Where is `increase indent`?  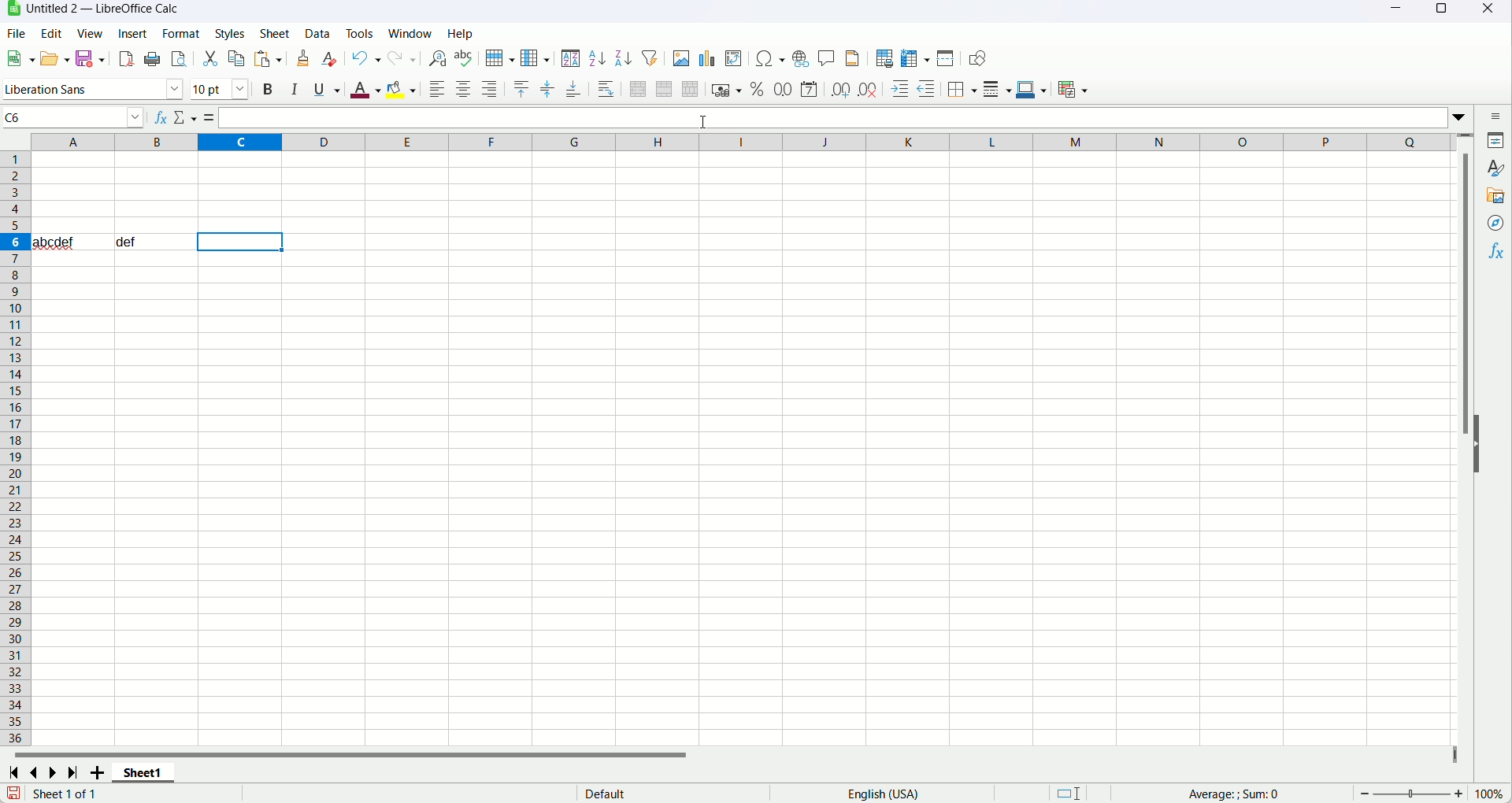 increase indent is located at coordinates (900, 89).